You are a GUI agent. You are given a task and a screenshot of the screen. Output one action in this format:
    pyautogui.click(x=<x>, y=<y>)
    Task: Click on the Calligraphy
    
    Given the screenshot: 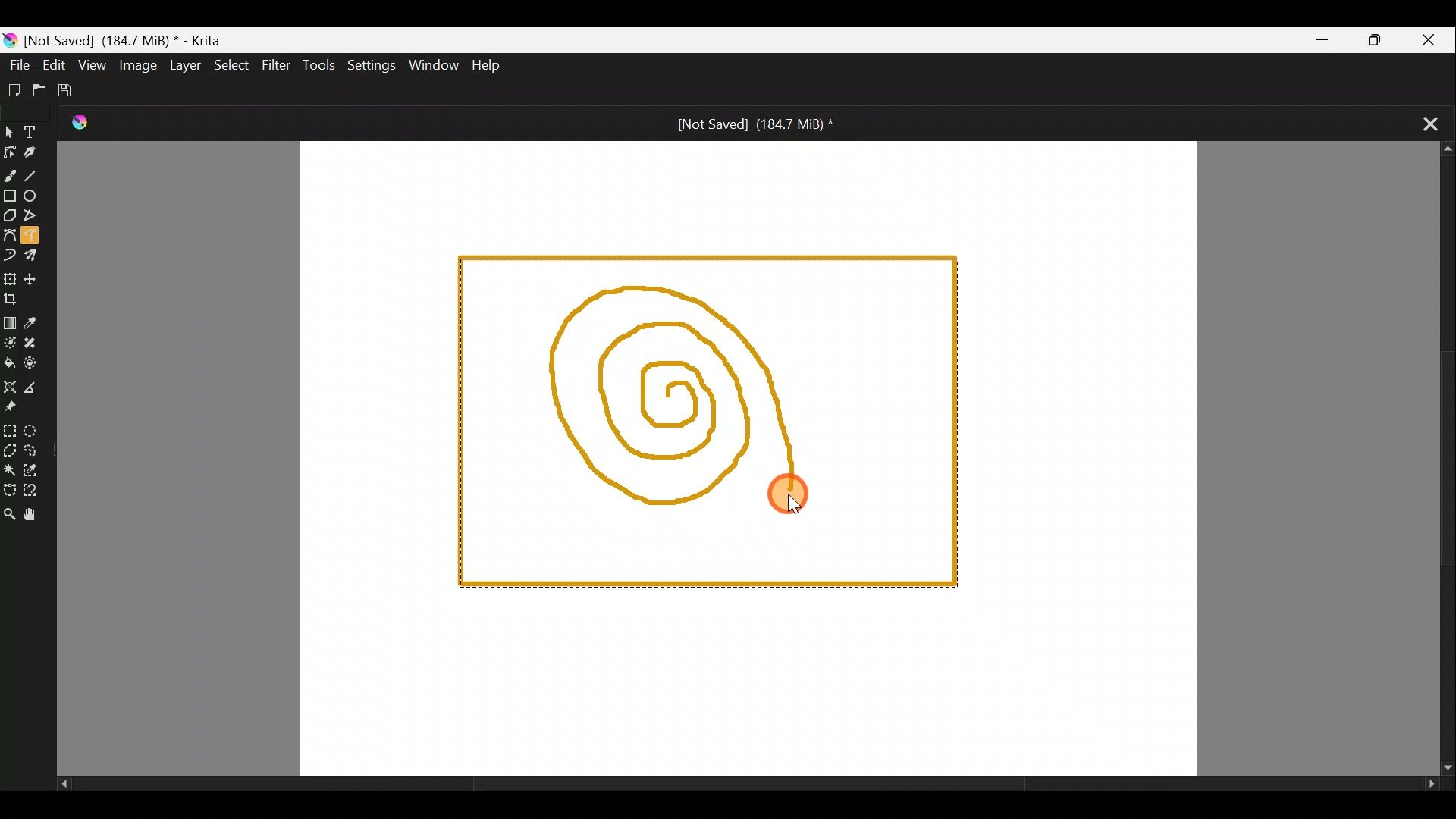 What is the action you would take?
    pyautogui.click(x=31, y=152)
    